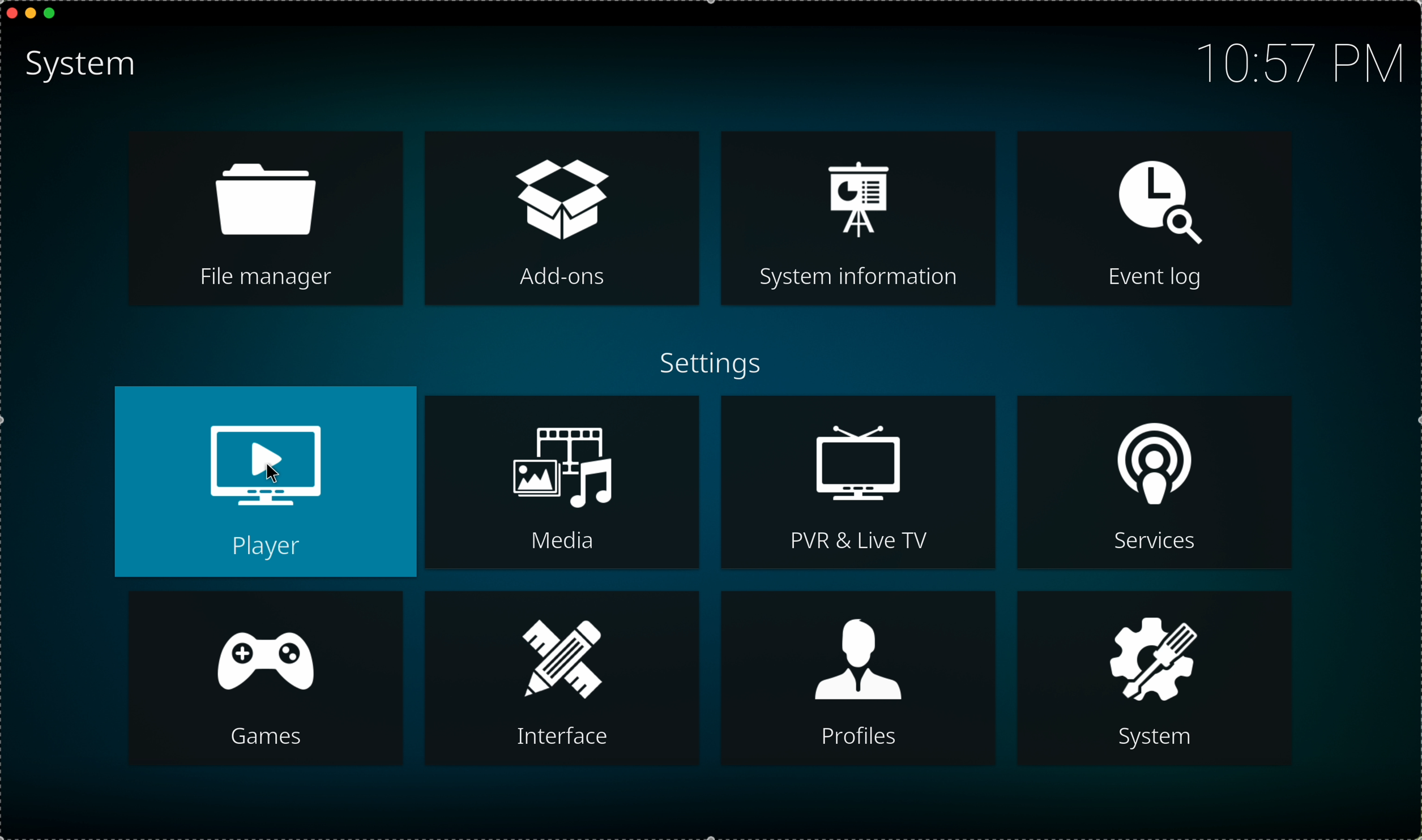  What do you see at coordinates (264, 484) in the screenshot?
I see `player` at bounding box center [264, 484].